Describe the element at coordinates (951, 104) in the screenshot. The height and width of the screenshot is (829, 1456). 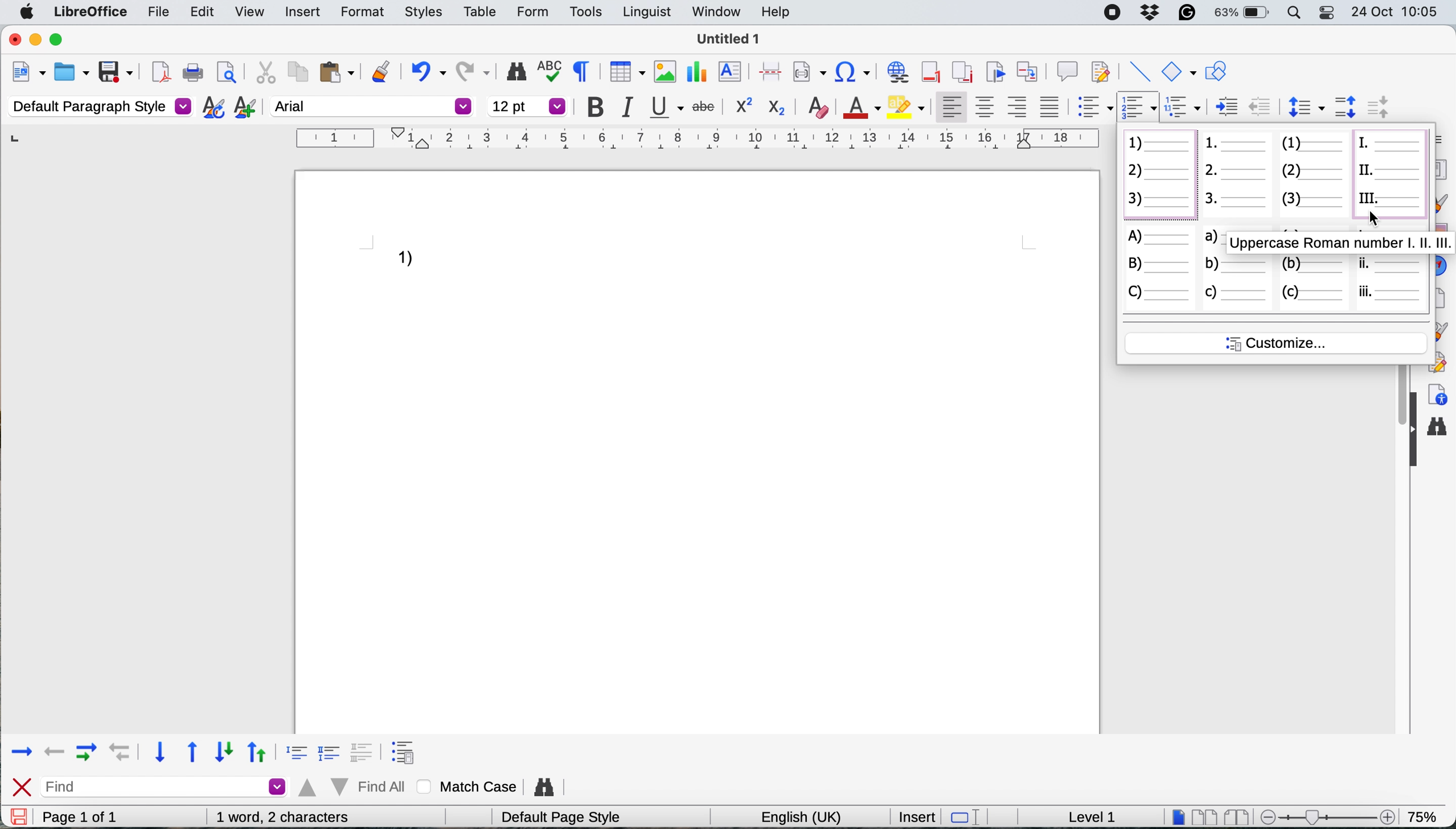
I see `align left` at that location.